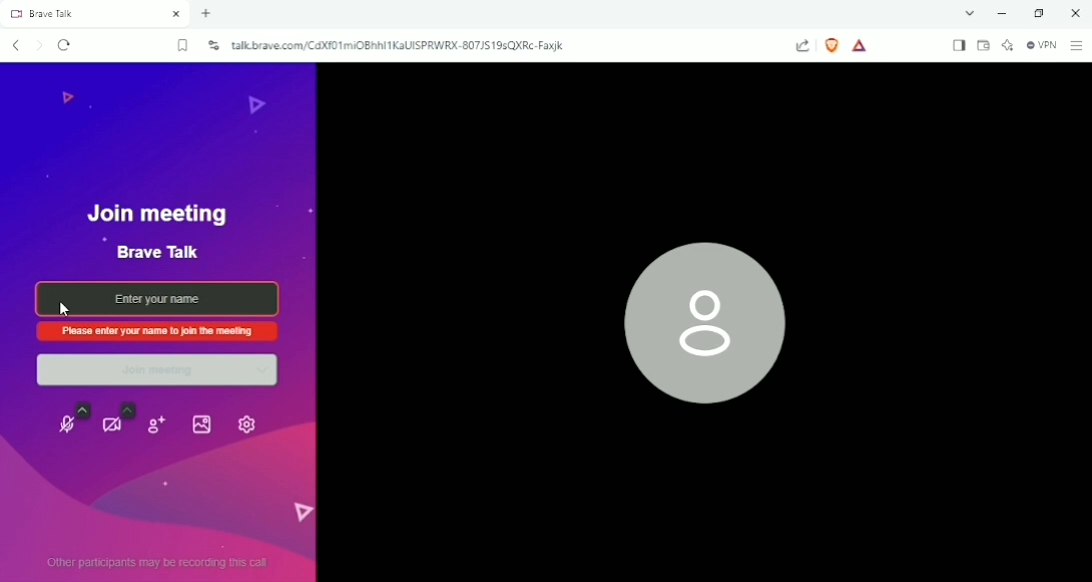  Describe the element at coordinates (983, 46) in the screenshot. I see `Wallet ` at that location.